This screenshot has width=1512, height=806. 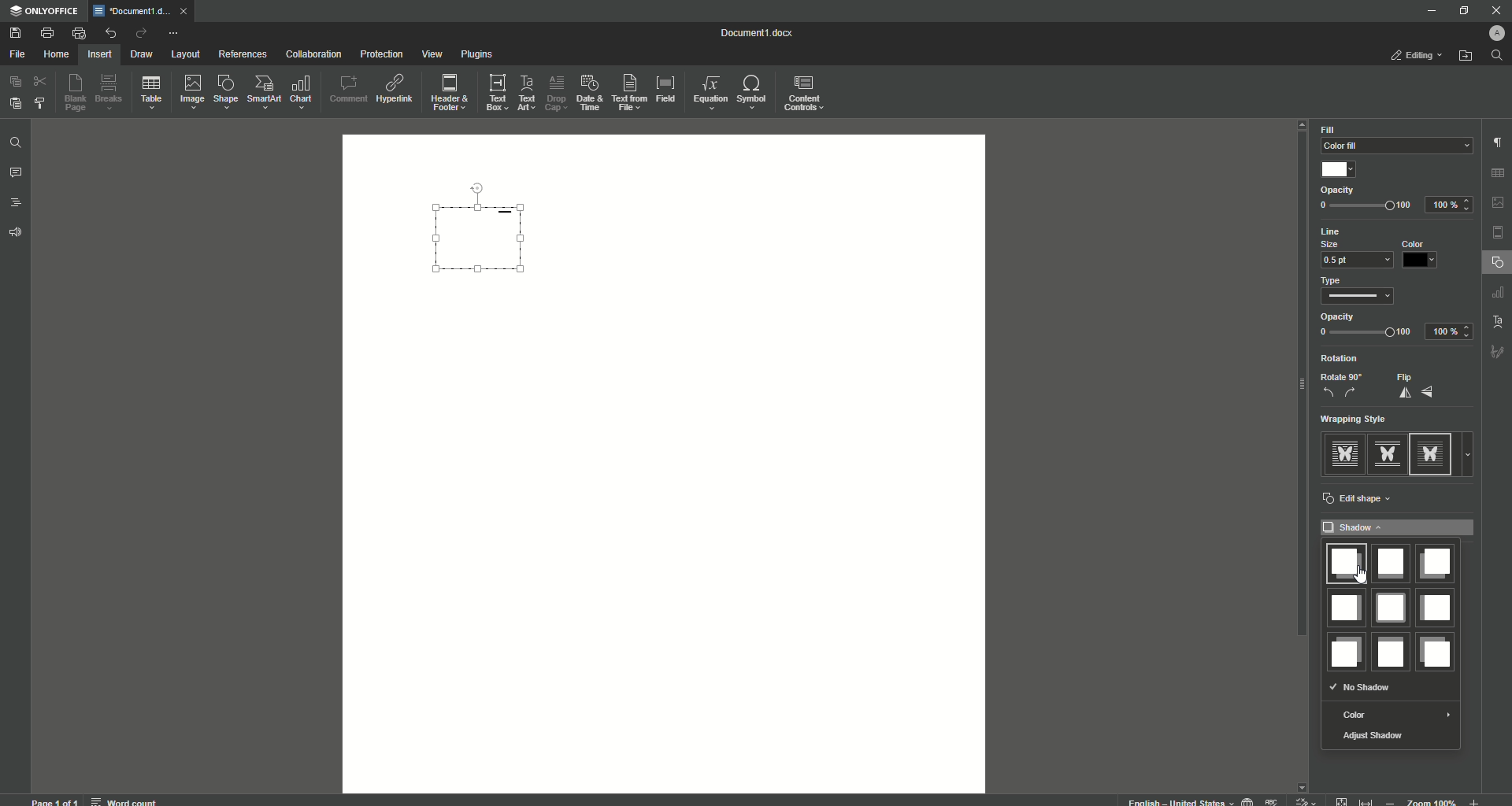 What do you see at coordinates (665, 87) in the screenshot?
I see `Field` at bounding box center [665, 87].